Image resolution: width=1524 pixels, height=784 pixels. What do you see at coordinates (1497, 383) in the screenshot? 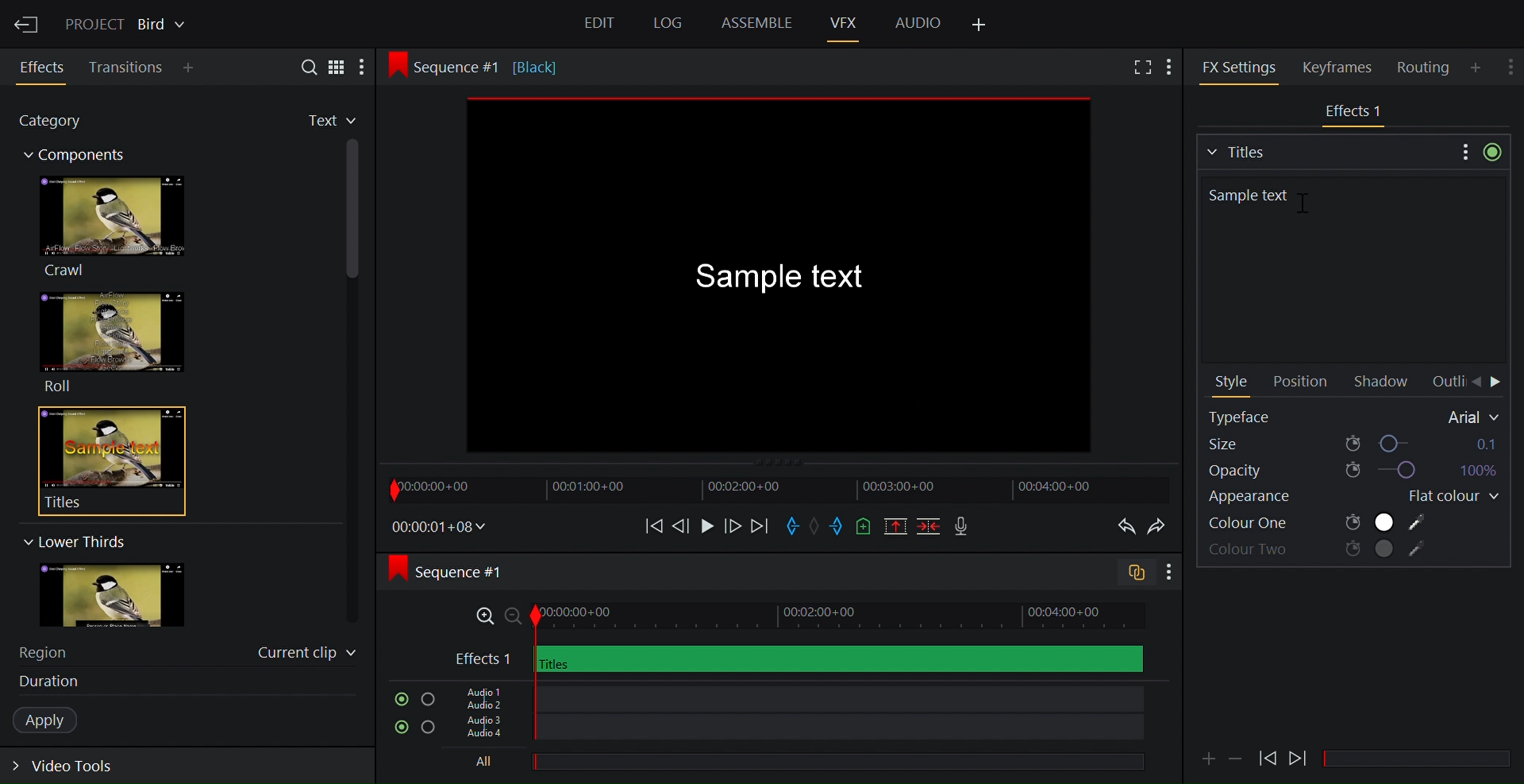
I see `Move Forward` at bounding box center [1497, 383].